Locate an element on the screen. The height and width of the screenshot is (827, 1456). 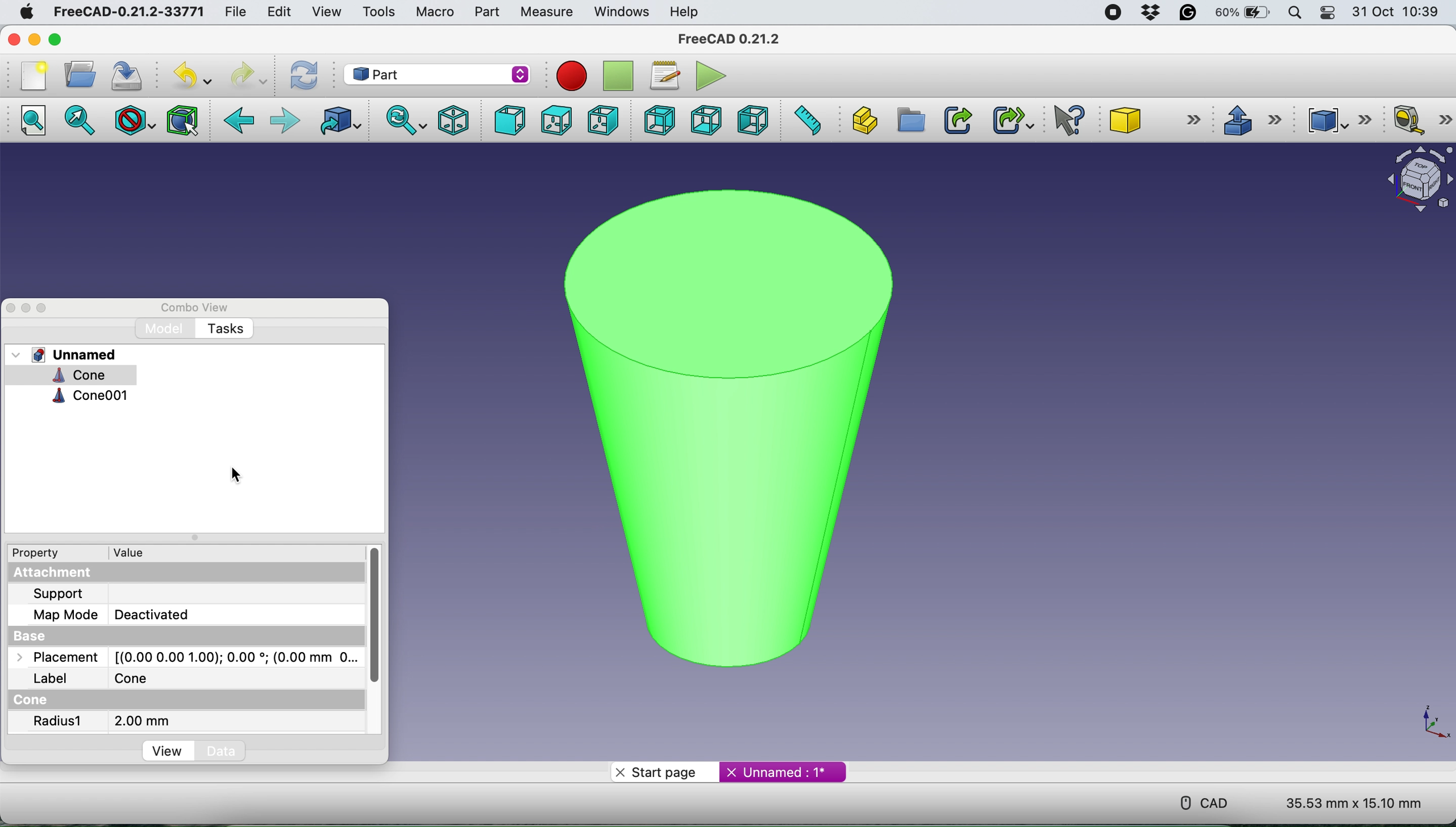
windows is located at coordinates (619, 11).